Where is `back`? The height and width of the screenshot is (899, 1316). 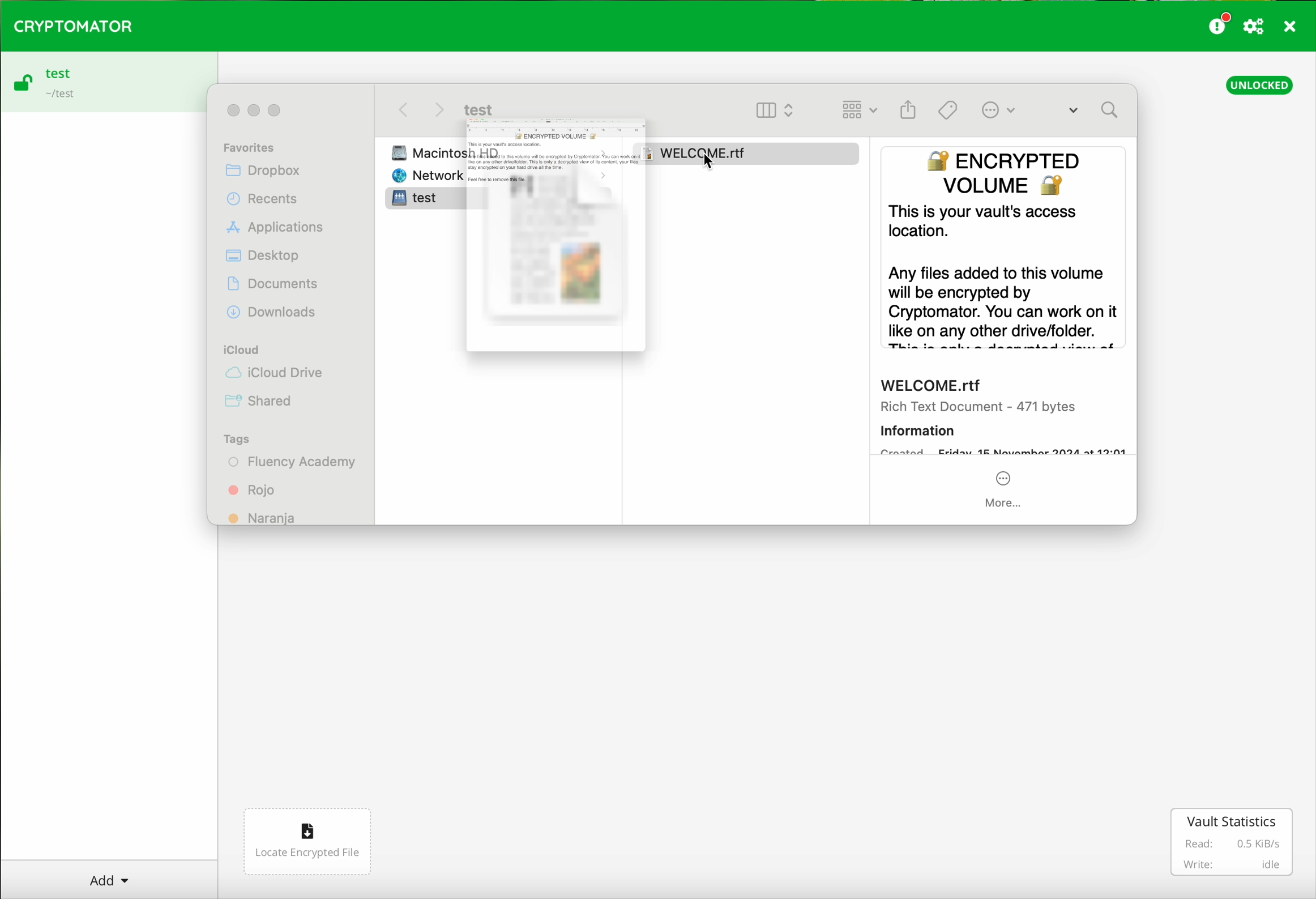
back is located at coordinates (404, 110).